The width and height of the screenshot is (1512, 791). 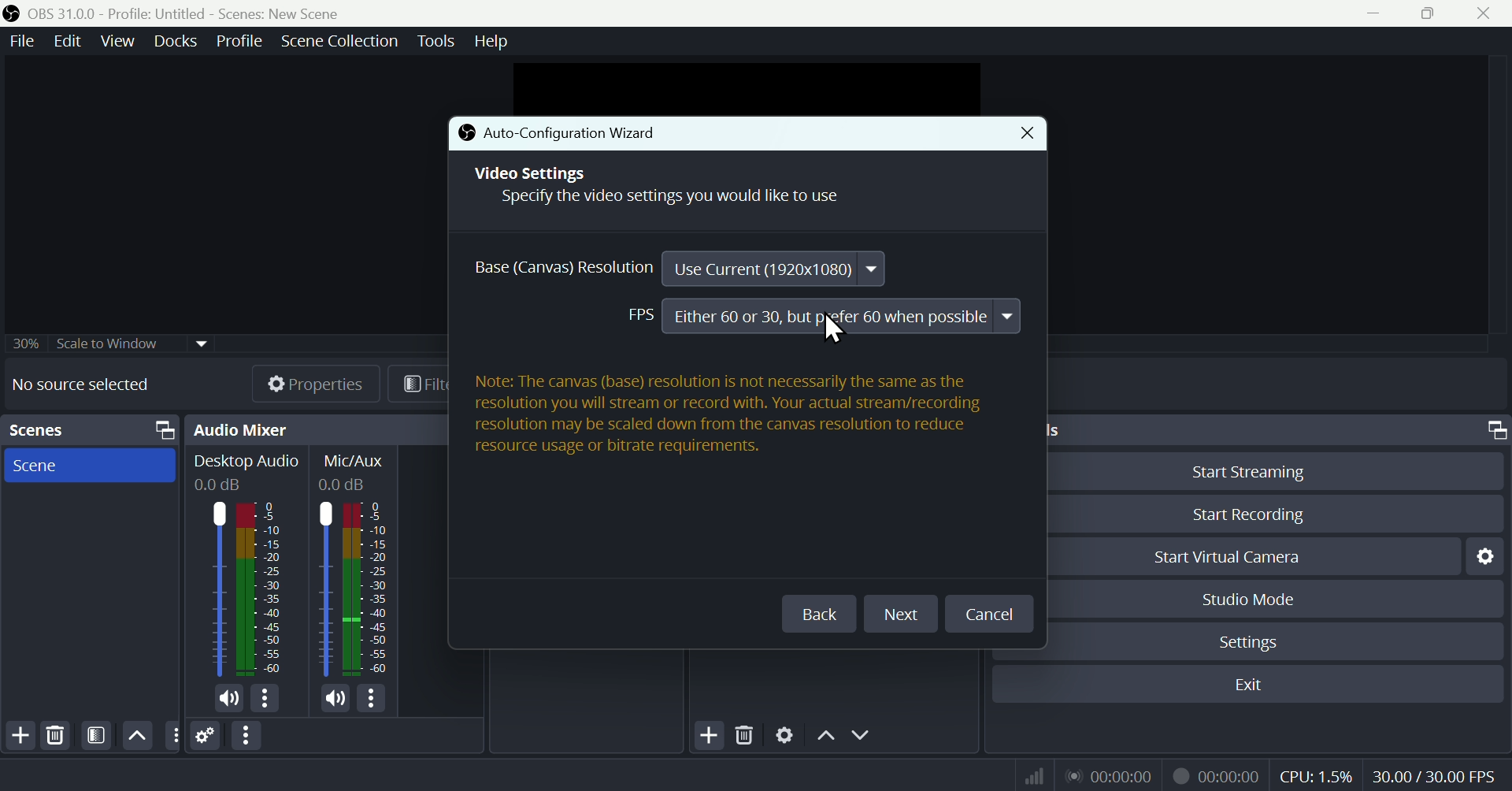 What do you see at coordinates (94, 736) in the screenshot?
I see `Filters` at bounding box center [94, 736].